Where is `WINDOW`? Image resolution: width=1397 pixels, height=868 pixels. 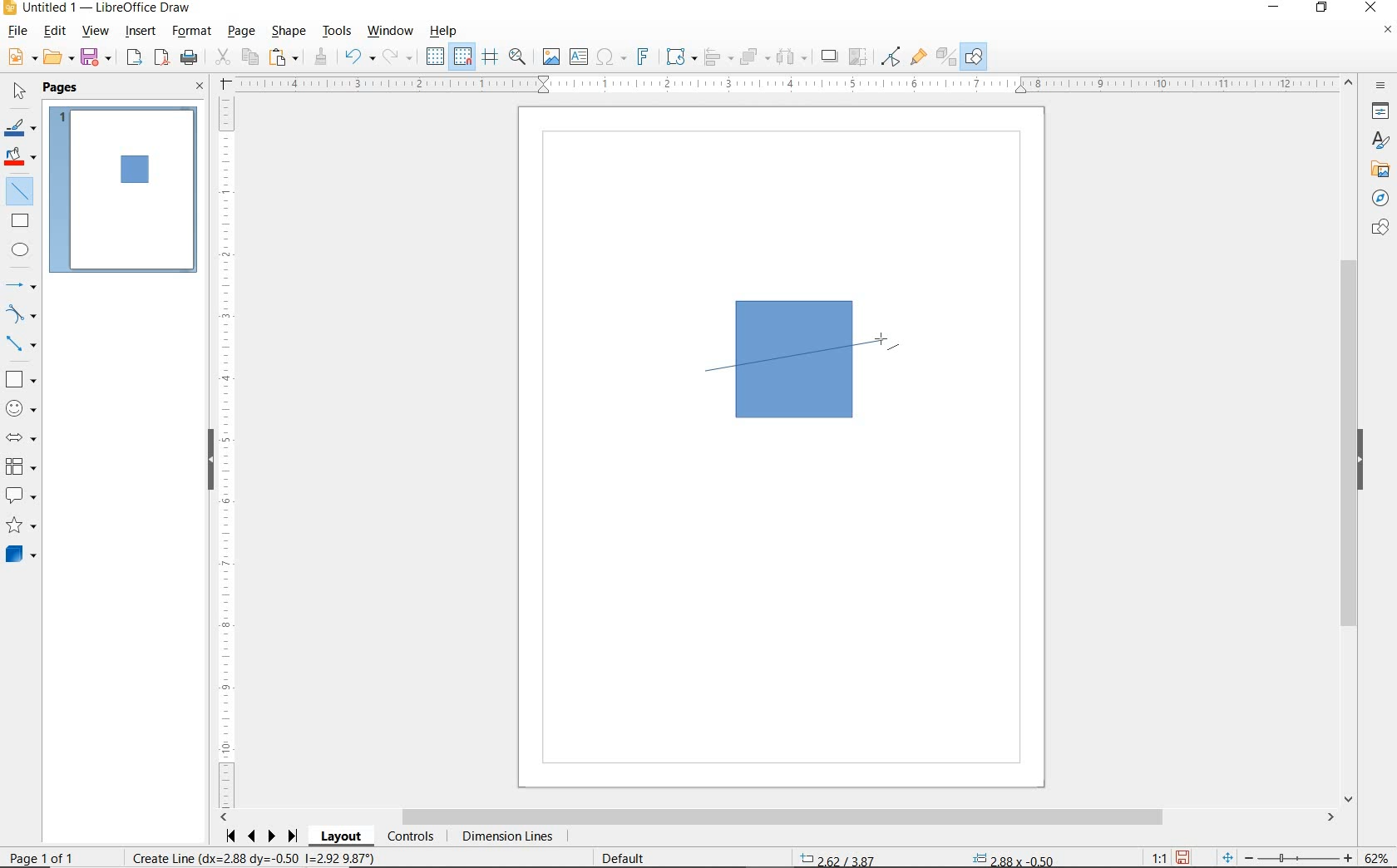
WINDOW is located at coordinates (391, 32).